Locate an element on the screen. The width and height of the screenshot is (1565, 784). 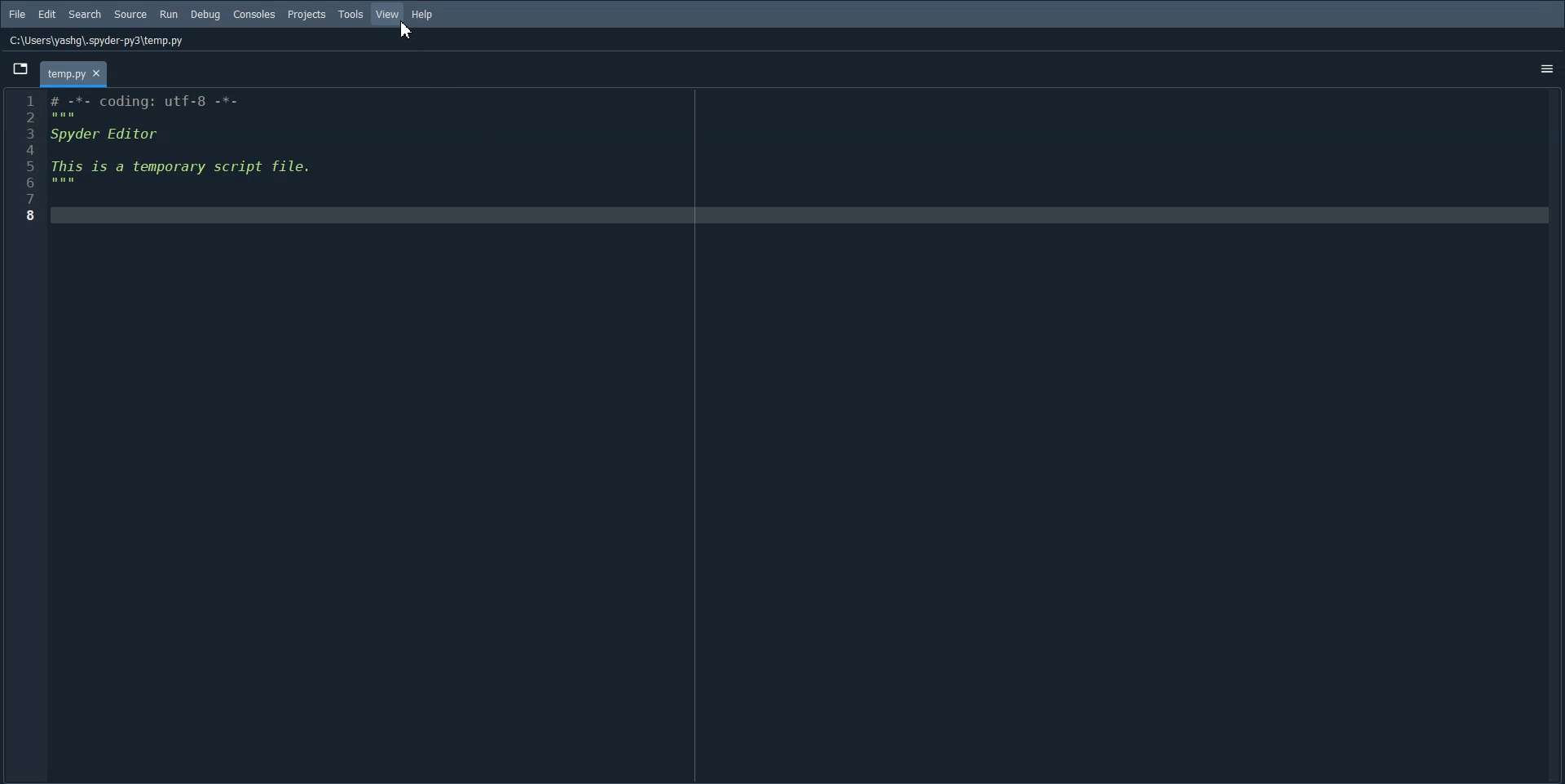
Search is located at coordinates (85, 15).